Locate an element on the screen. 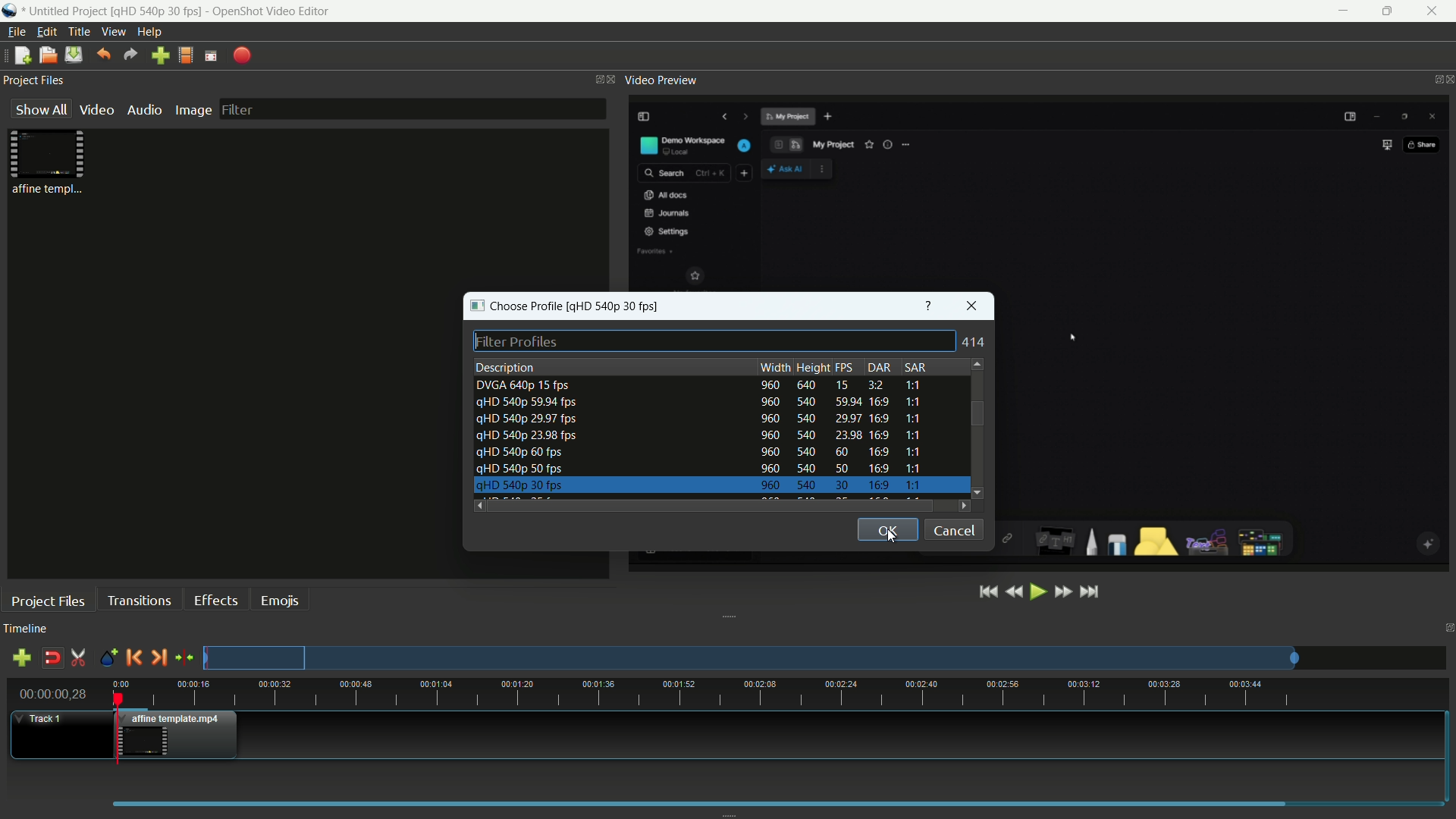 This screenshot has height=819, width=1456. app icon is located at coordinates (9, 11).